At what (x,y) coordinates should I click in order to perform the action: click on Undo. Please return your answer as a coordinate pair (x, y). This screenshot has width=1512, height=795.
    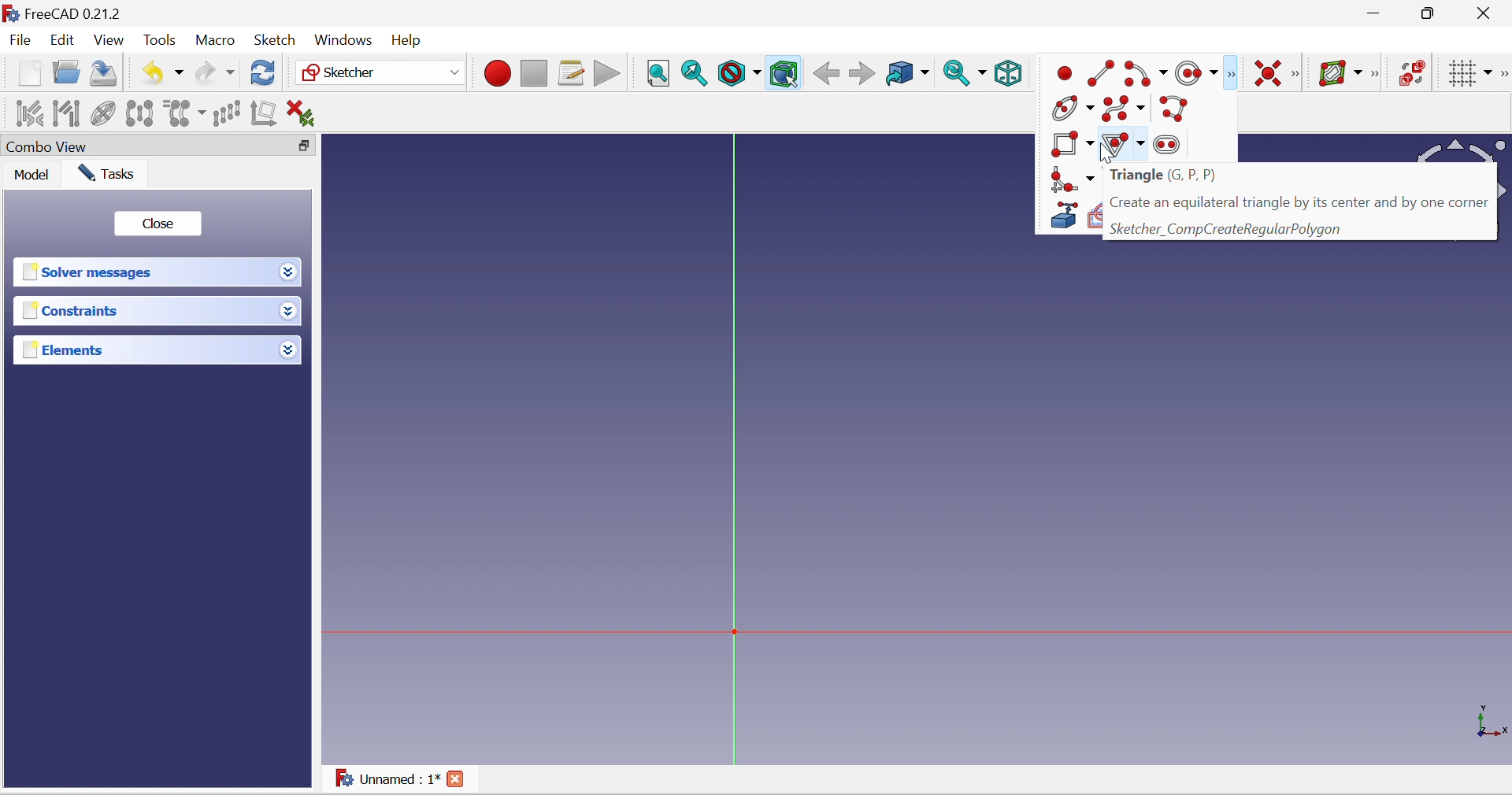
    Looking at the image, I should click on (161, 74).